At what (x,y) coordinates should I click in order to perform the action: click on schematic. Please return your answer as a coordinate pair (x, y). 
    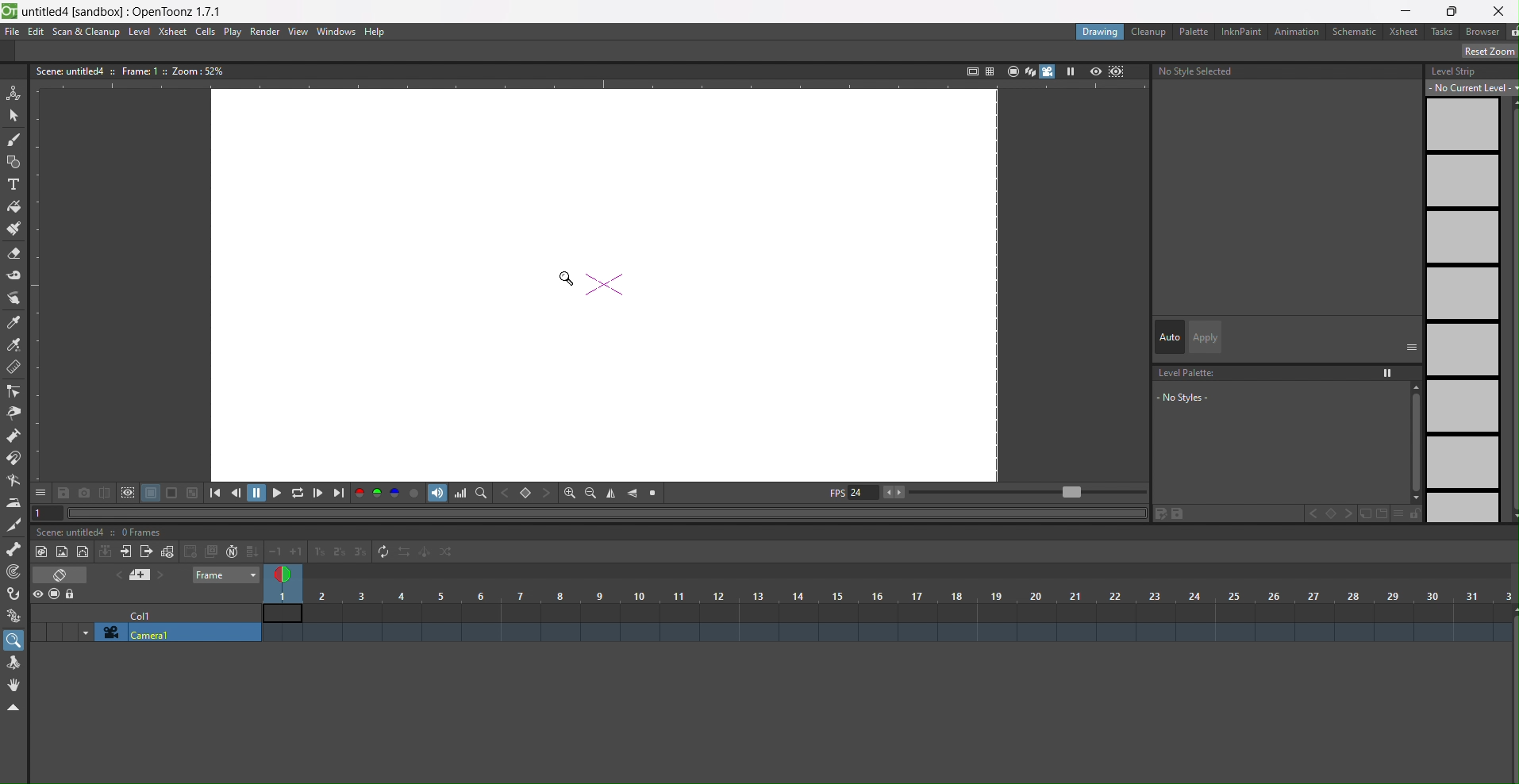
    Looking at the image, I should click on (1356, 31).